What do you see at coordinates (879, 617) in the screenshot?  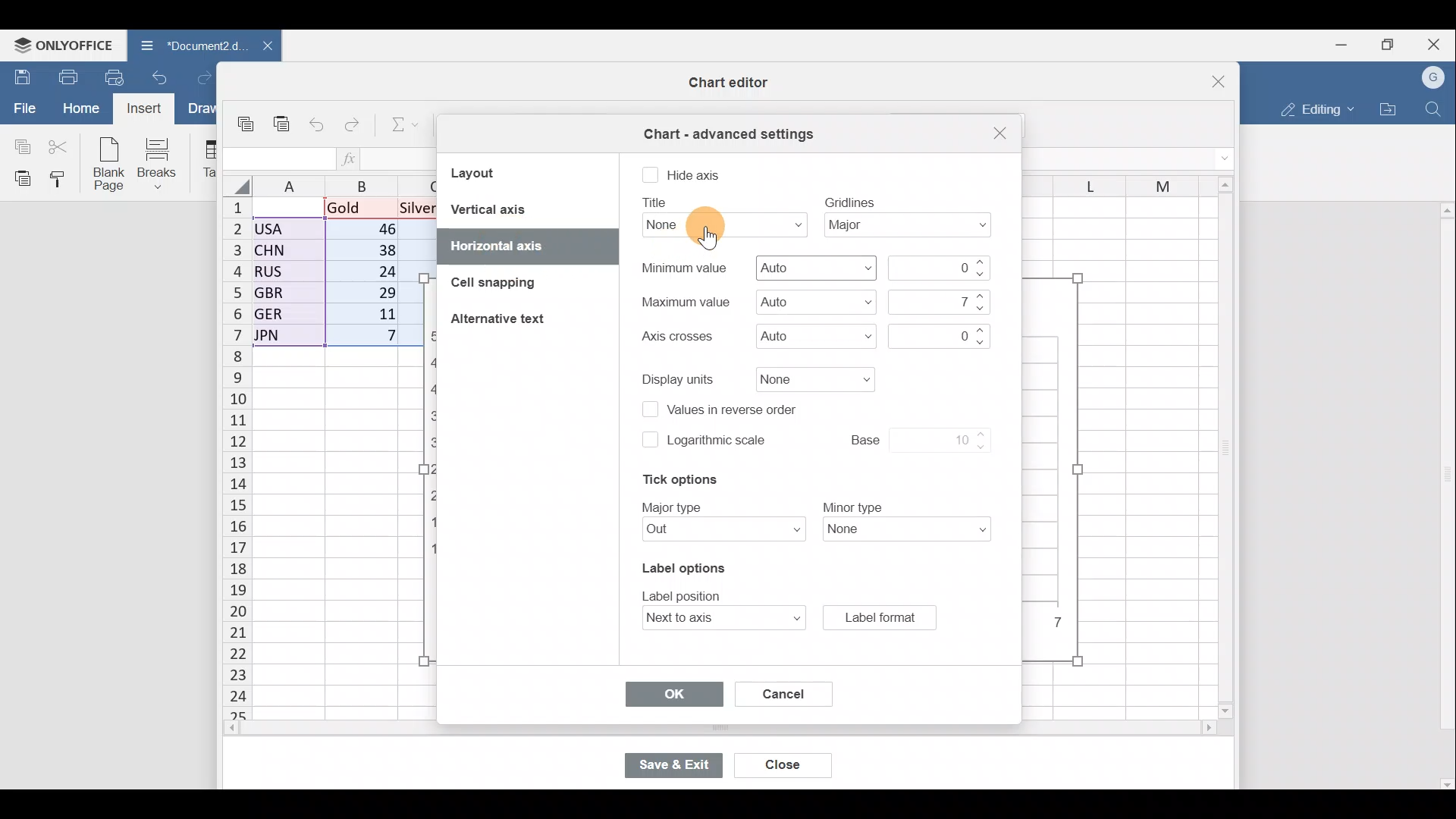 I see `Label format` at bounding box center [879, 617].